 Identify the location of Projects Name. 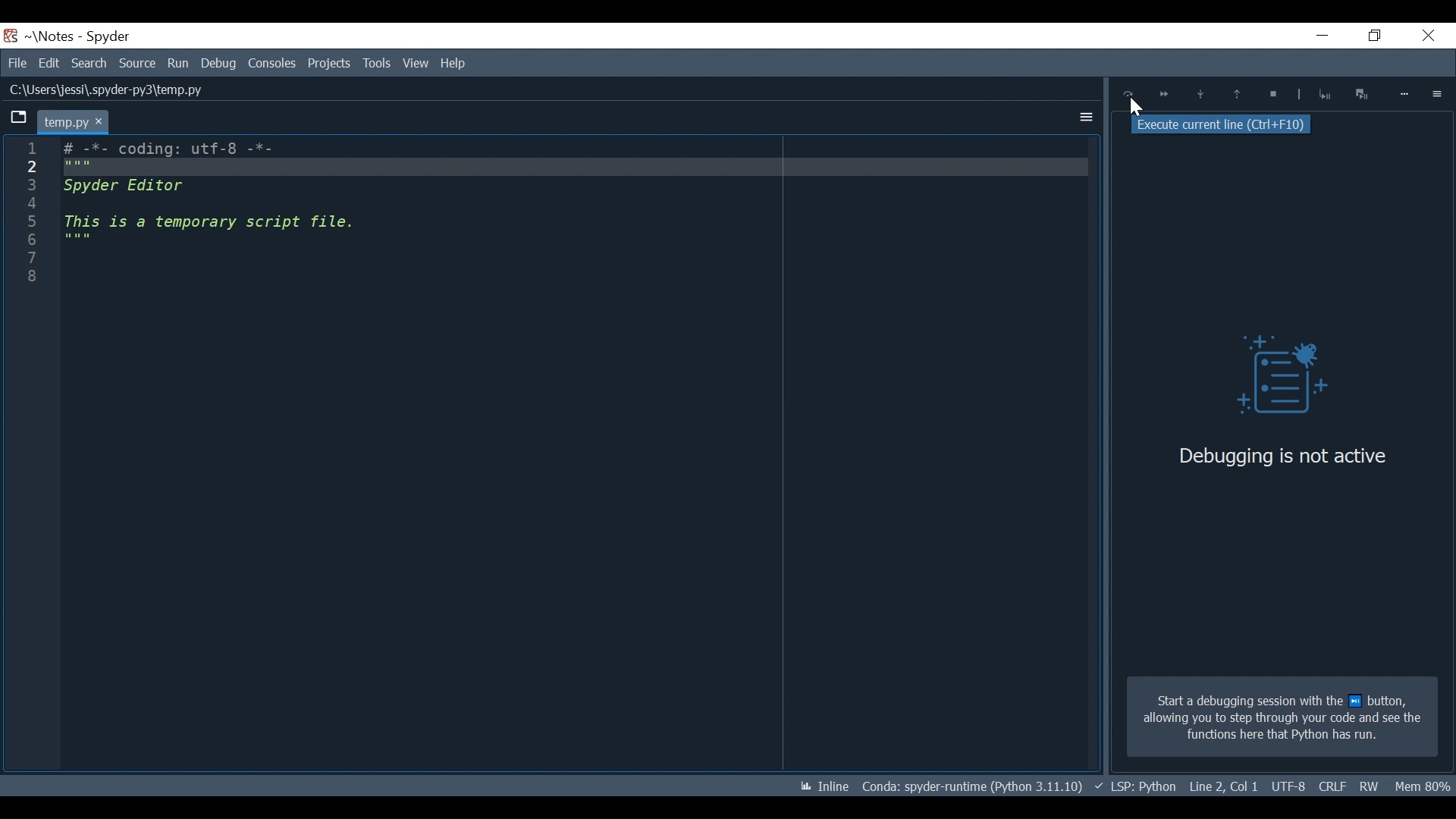
(52, 36).